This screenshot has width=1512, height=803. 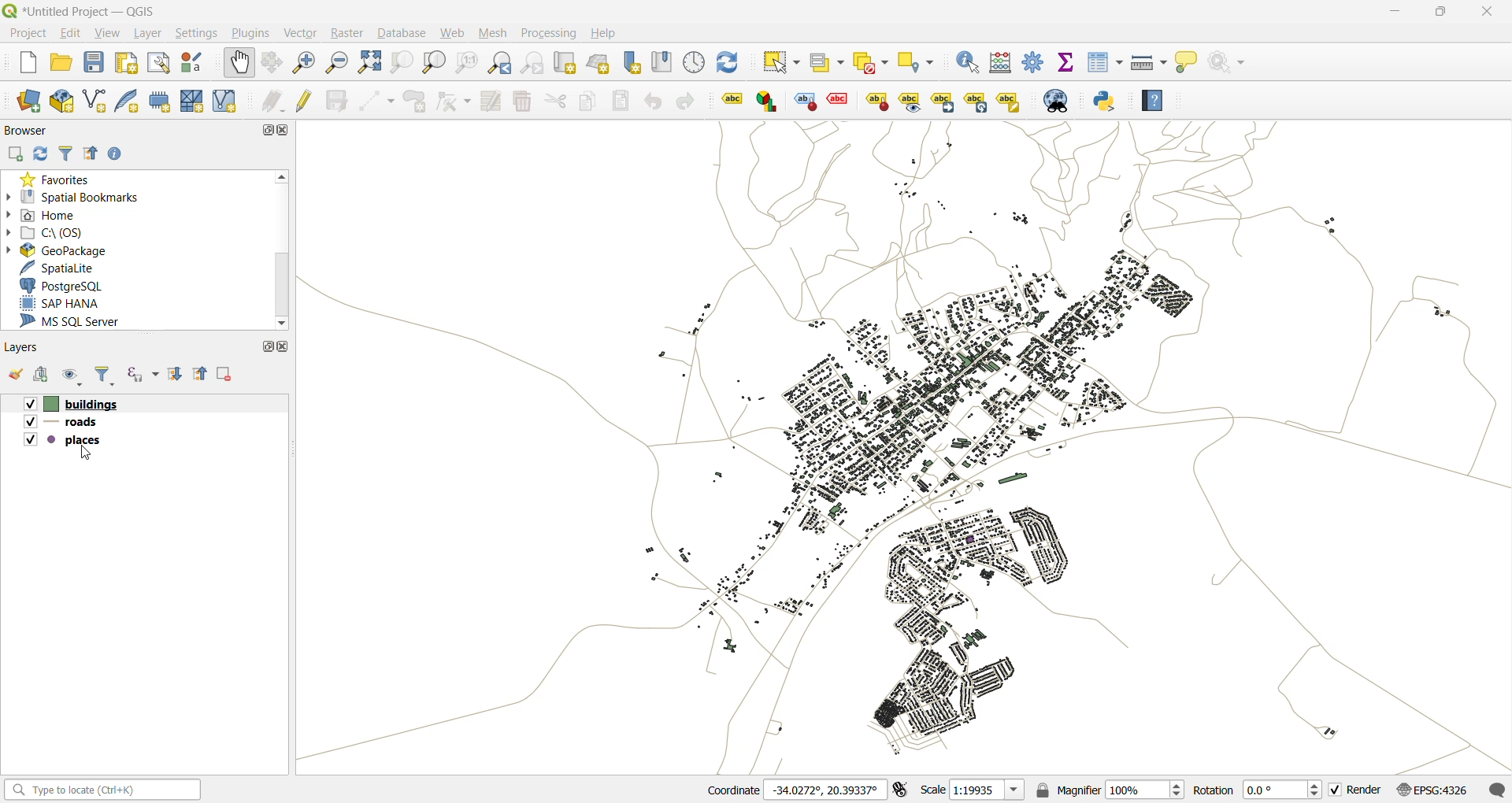 What do you see at coordinates (125, 102) in the screenshot?
I see `new spatialite` at bounding box center [125, 102].